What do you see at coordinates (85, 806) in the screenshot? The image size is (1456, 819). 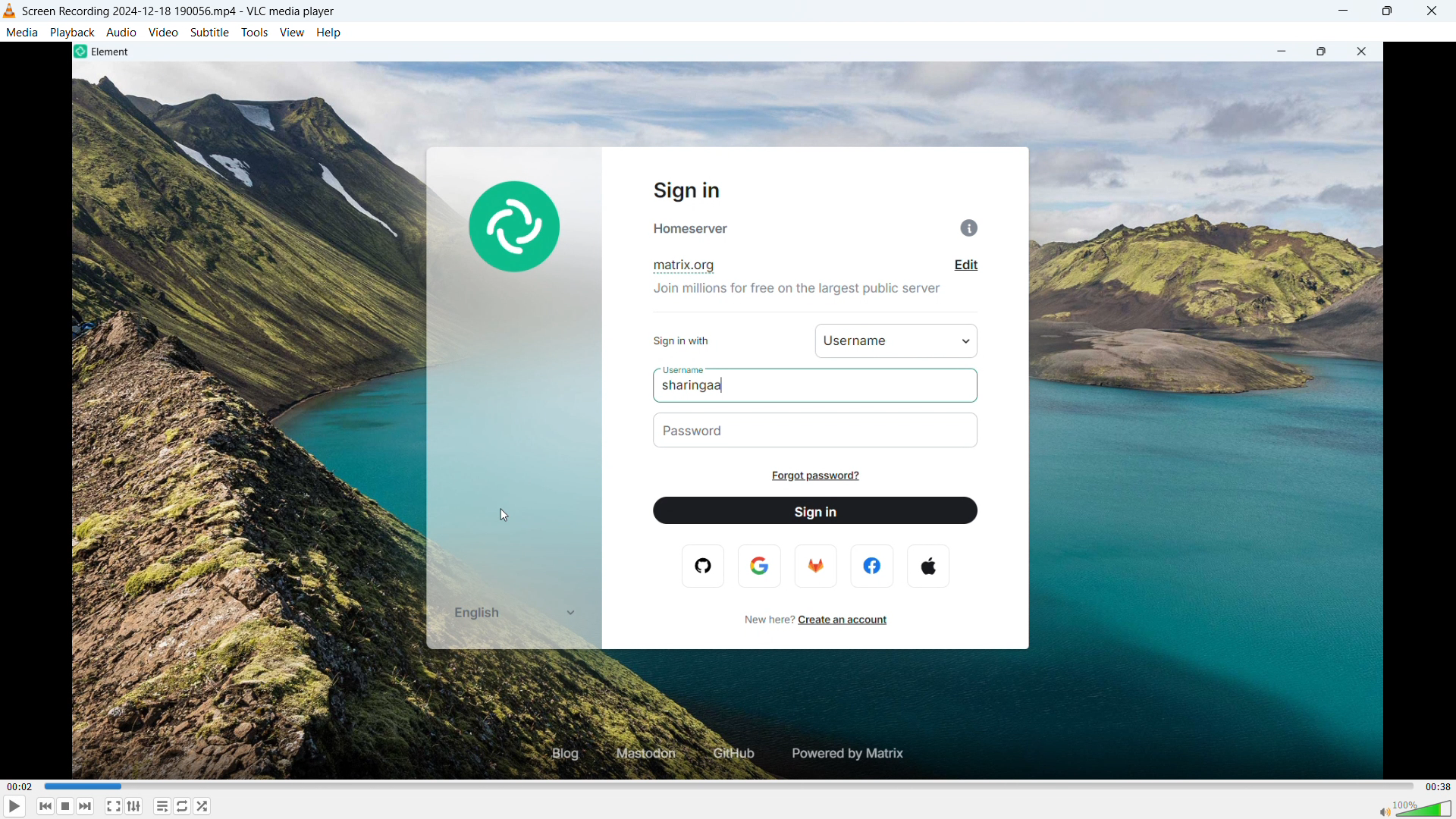 I see `forward or next media` at bounding box center [85, 806].